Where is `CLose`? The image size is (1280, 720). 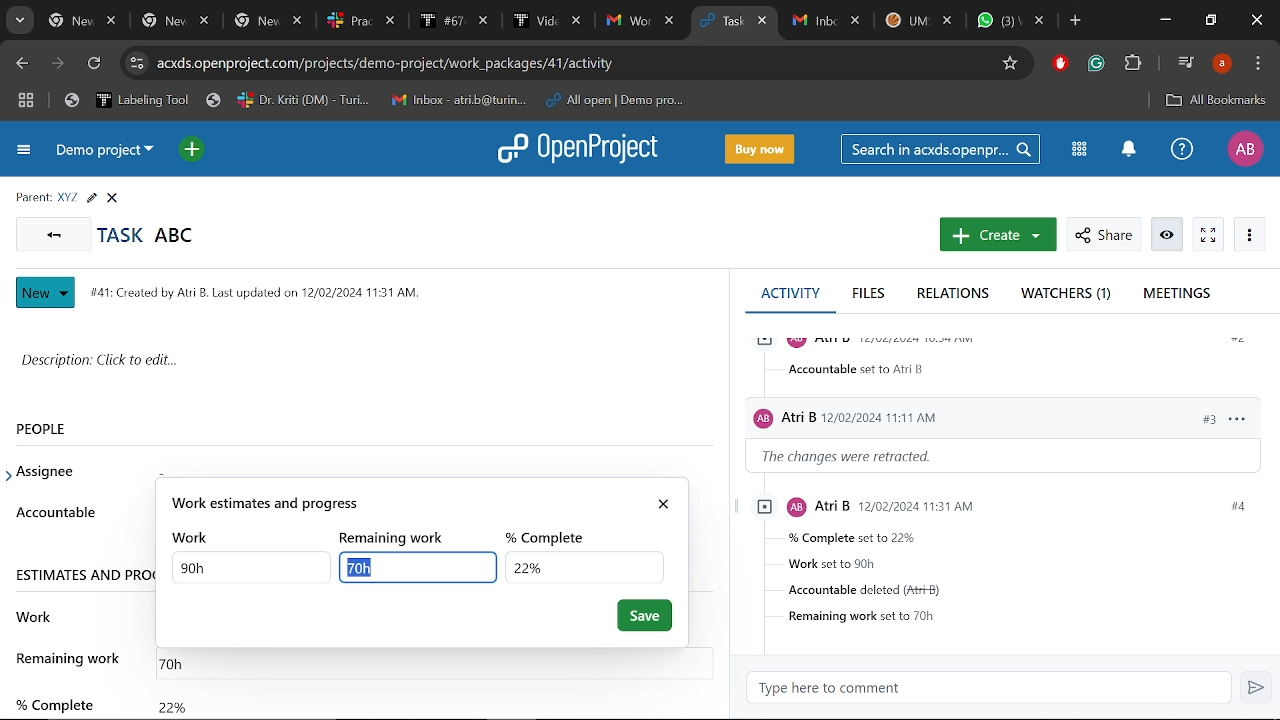
CLose is located at coordinates (115, 198).